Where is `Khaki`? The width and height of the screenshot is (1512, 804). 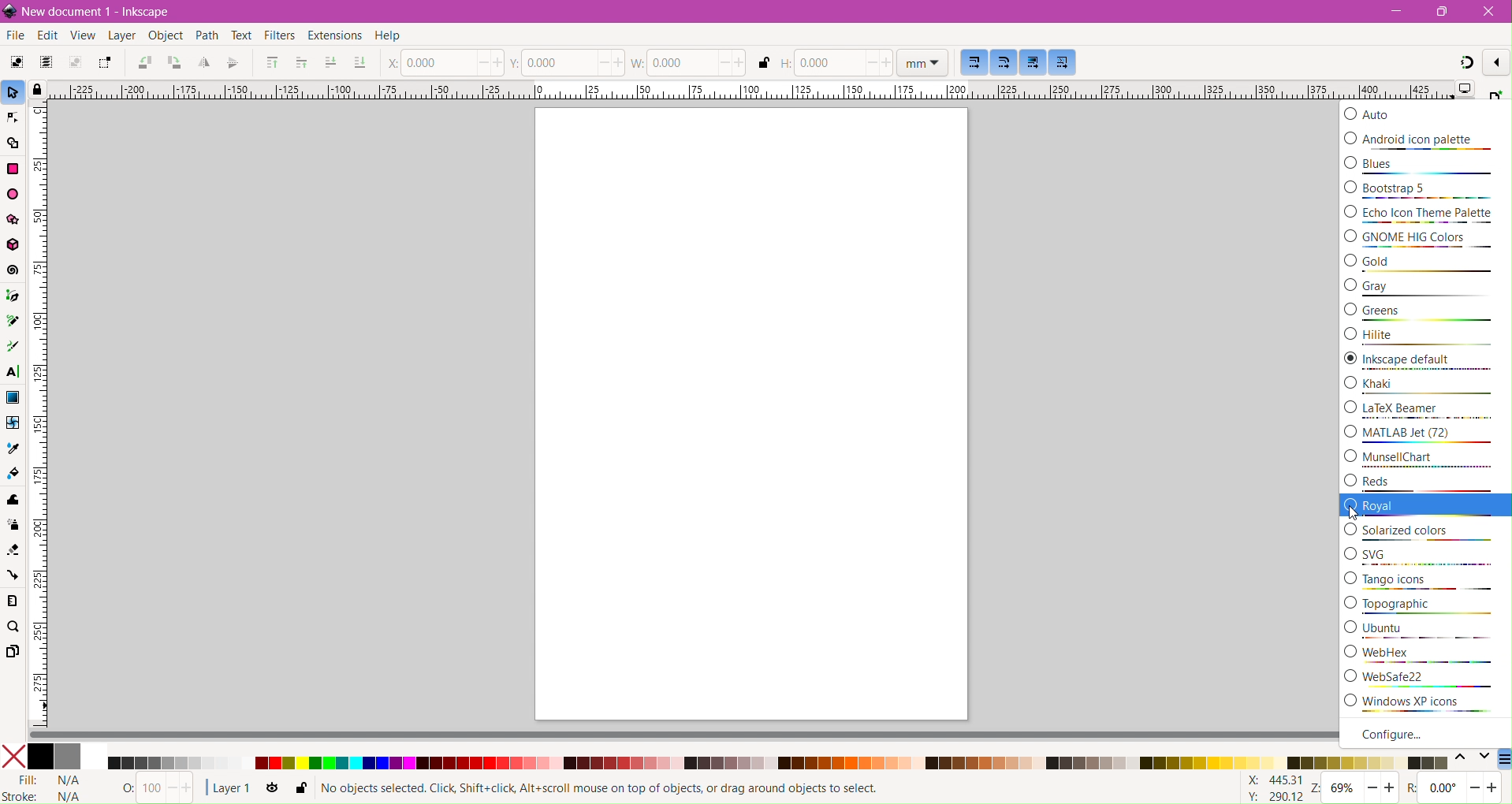
Khaki is located at coordinates (1427, 386).